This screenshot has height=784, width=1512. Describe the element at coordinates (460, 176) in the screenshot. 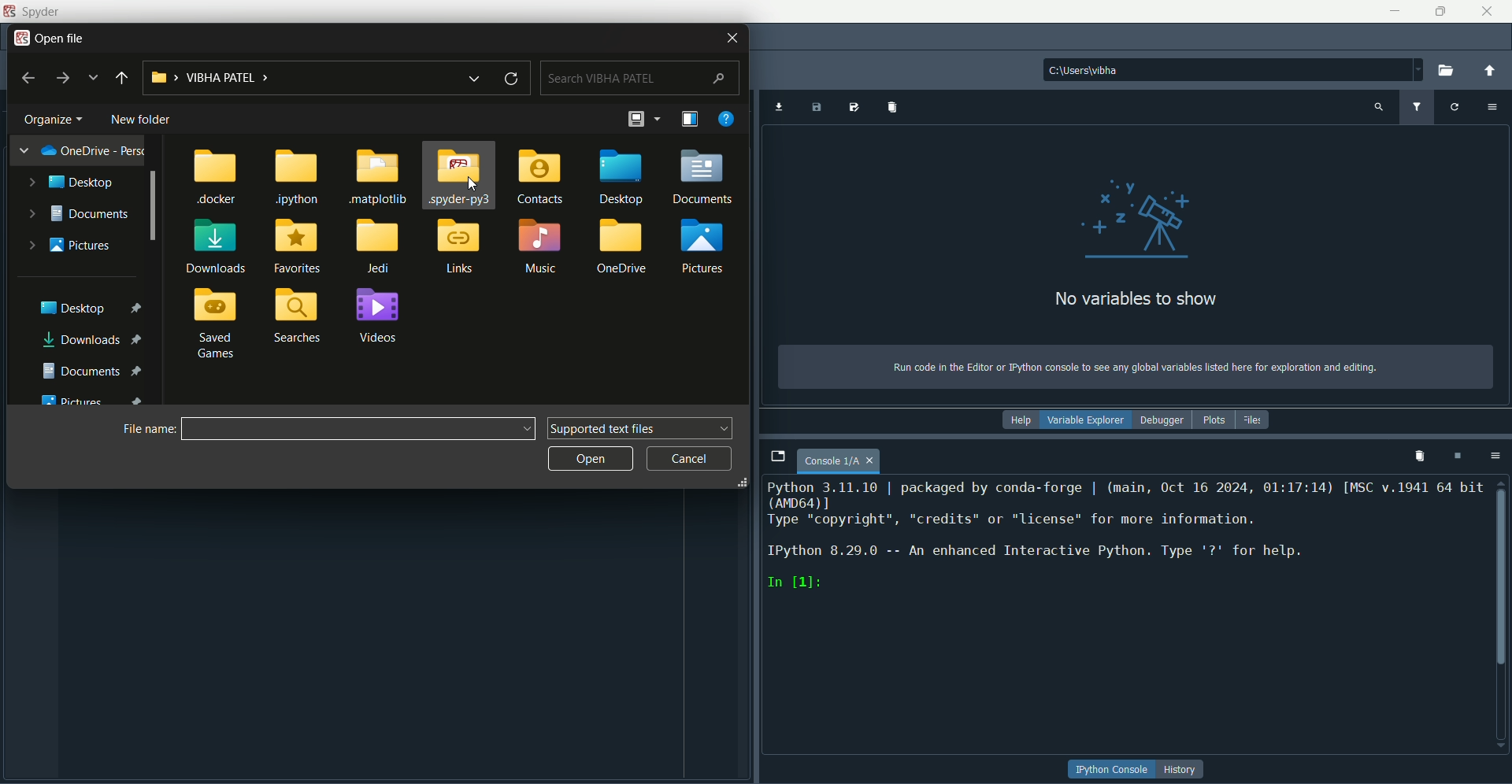

I see `folder` at that location.